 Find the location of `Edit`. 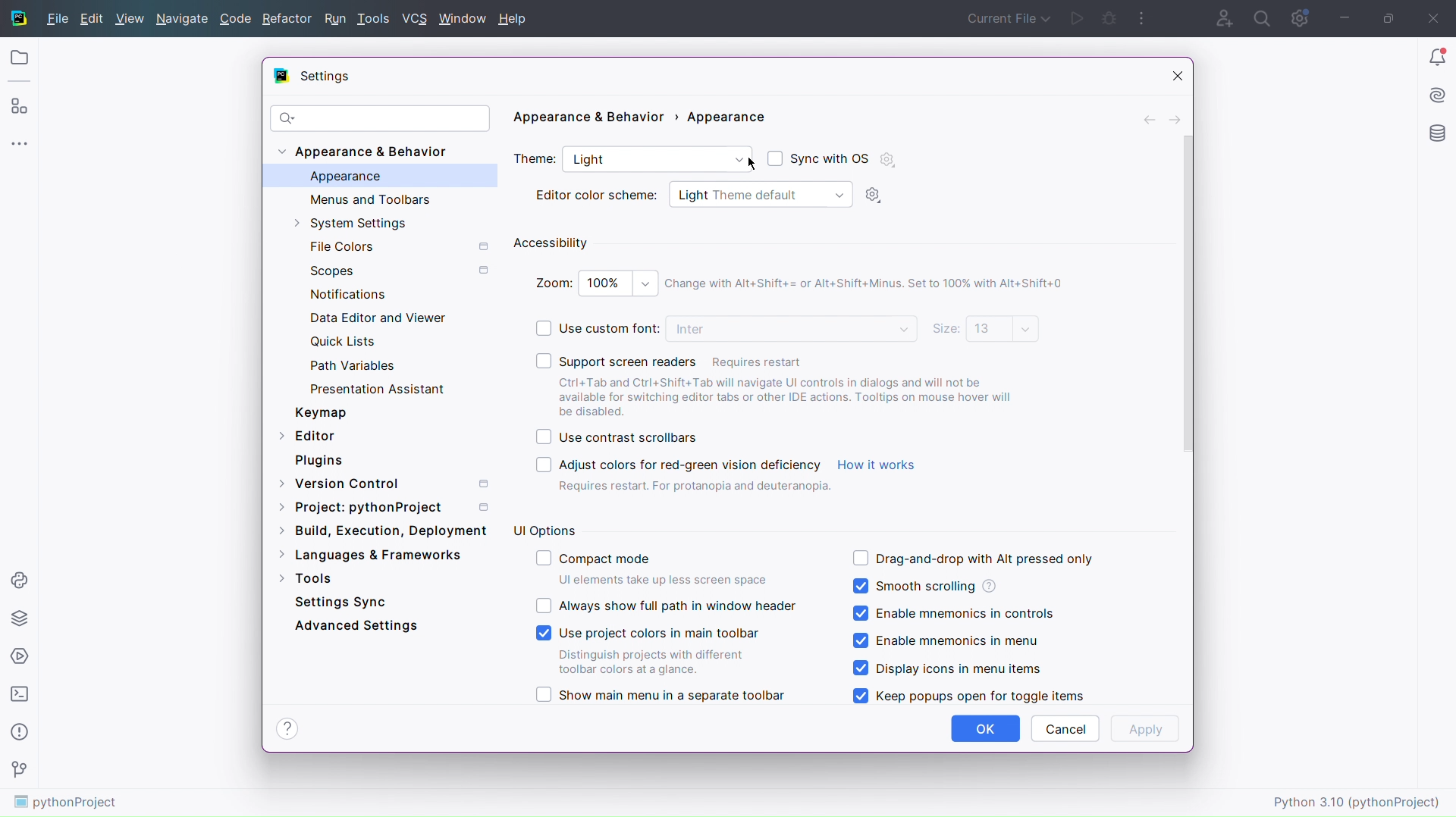

Edit is located at coordinates (93, 18).